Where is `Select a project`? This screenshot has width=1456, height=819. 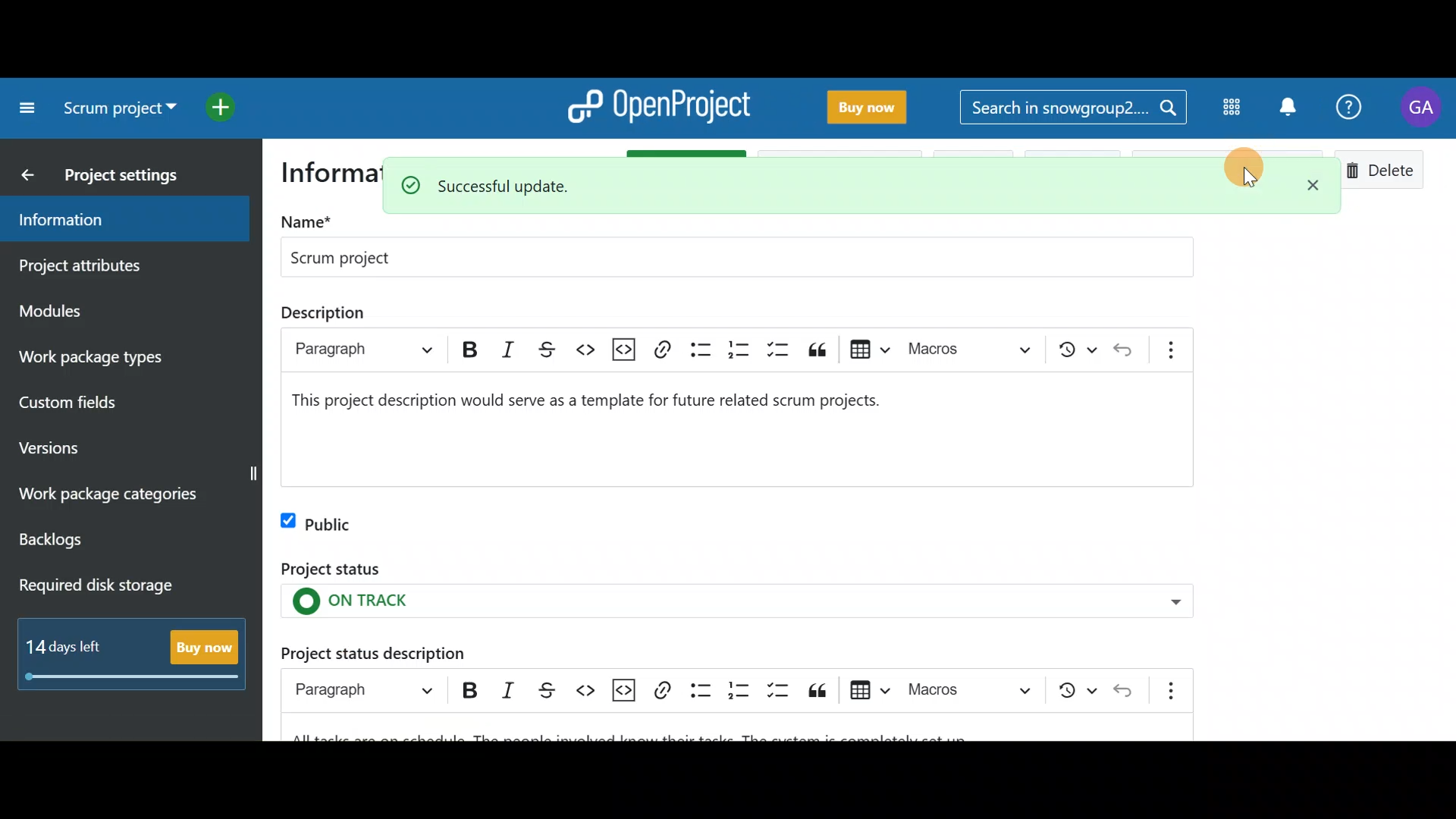 Select a project is located at coordinates (123, 114).